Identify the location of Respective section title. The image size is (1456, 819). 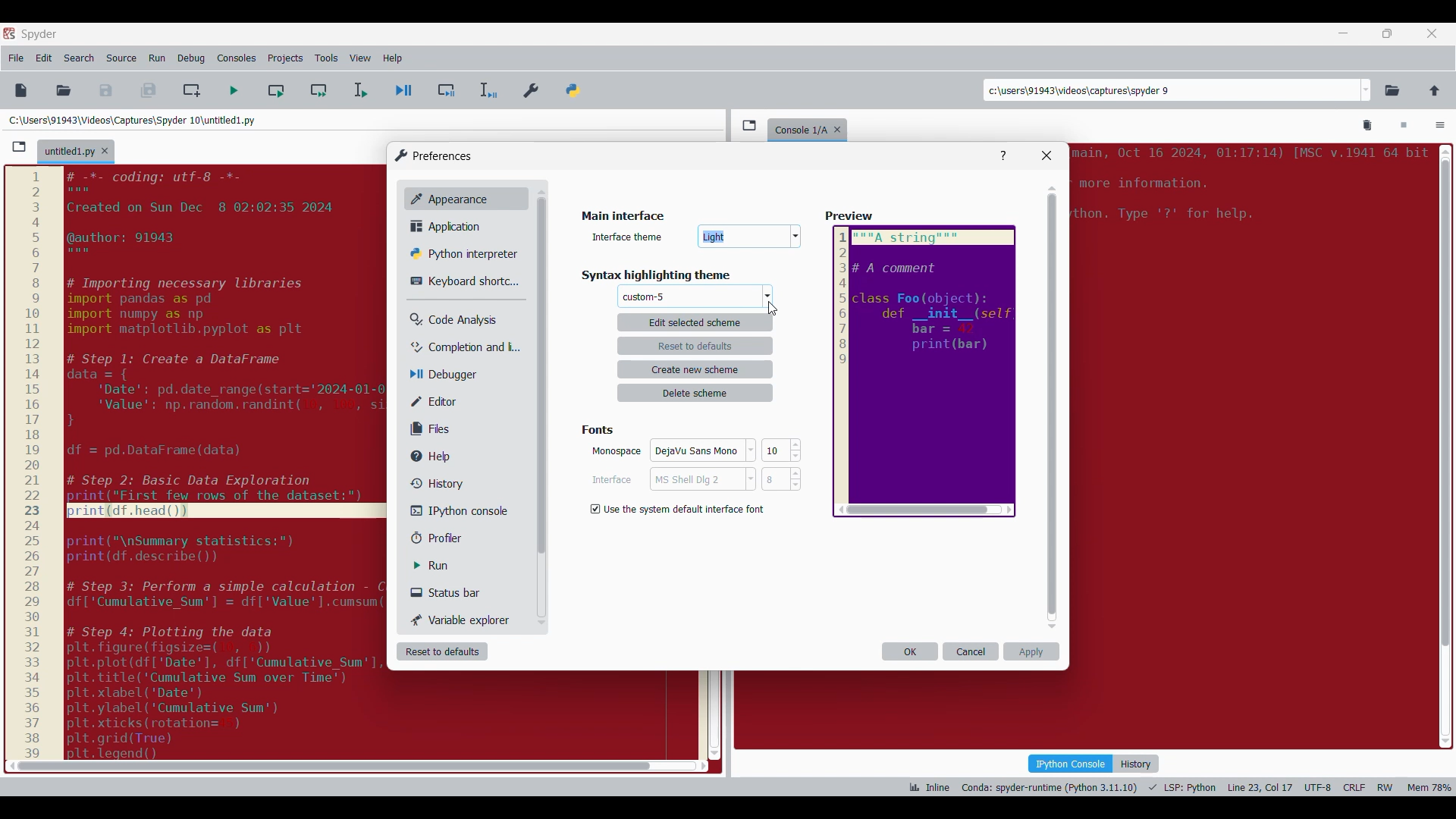
(698, 275).